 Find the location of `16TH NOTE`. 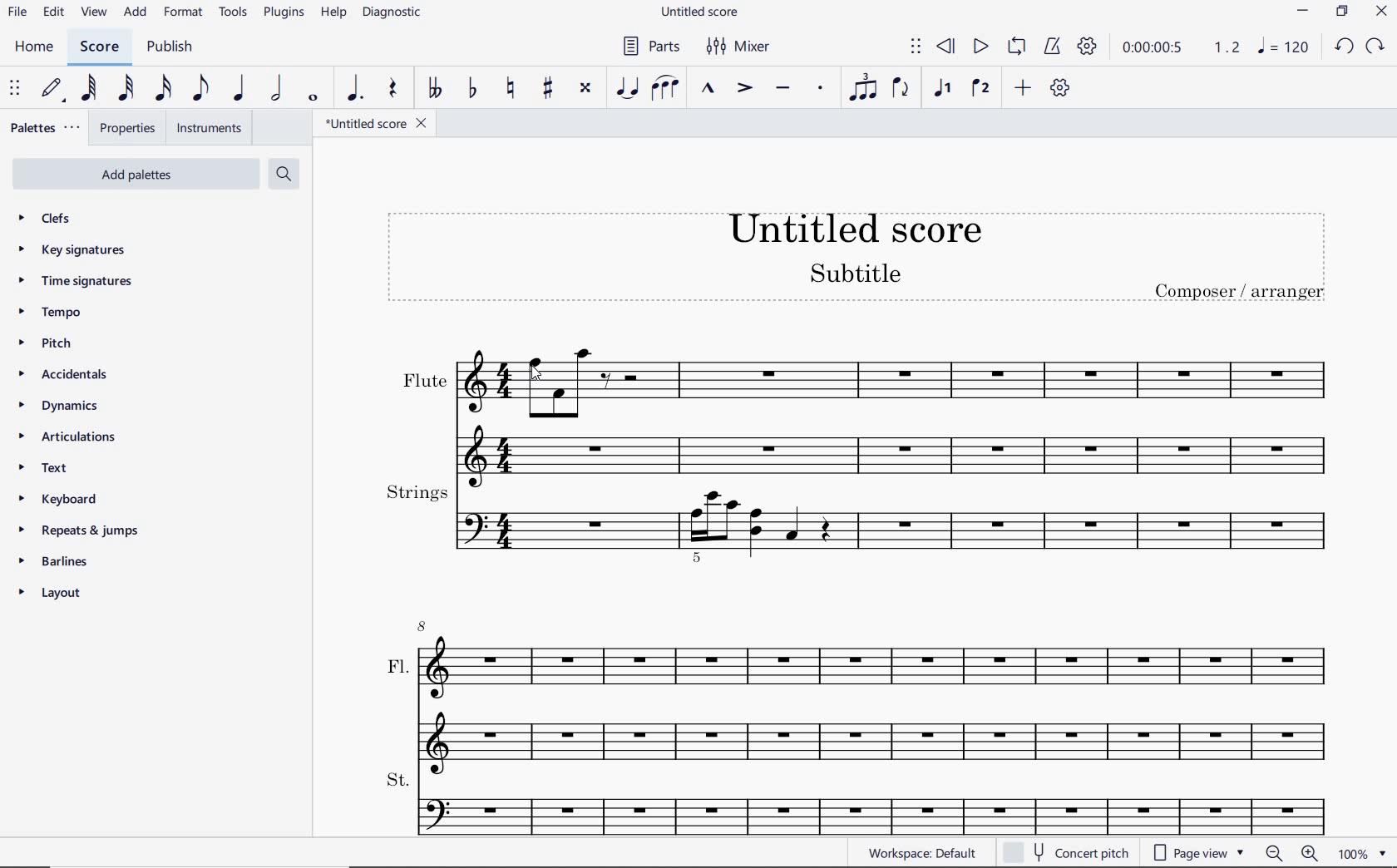

16TH NOTE is located at coordinates (163, 89).